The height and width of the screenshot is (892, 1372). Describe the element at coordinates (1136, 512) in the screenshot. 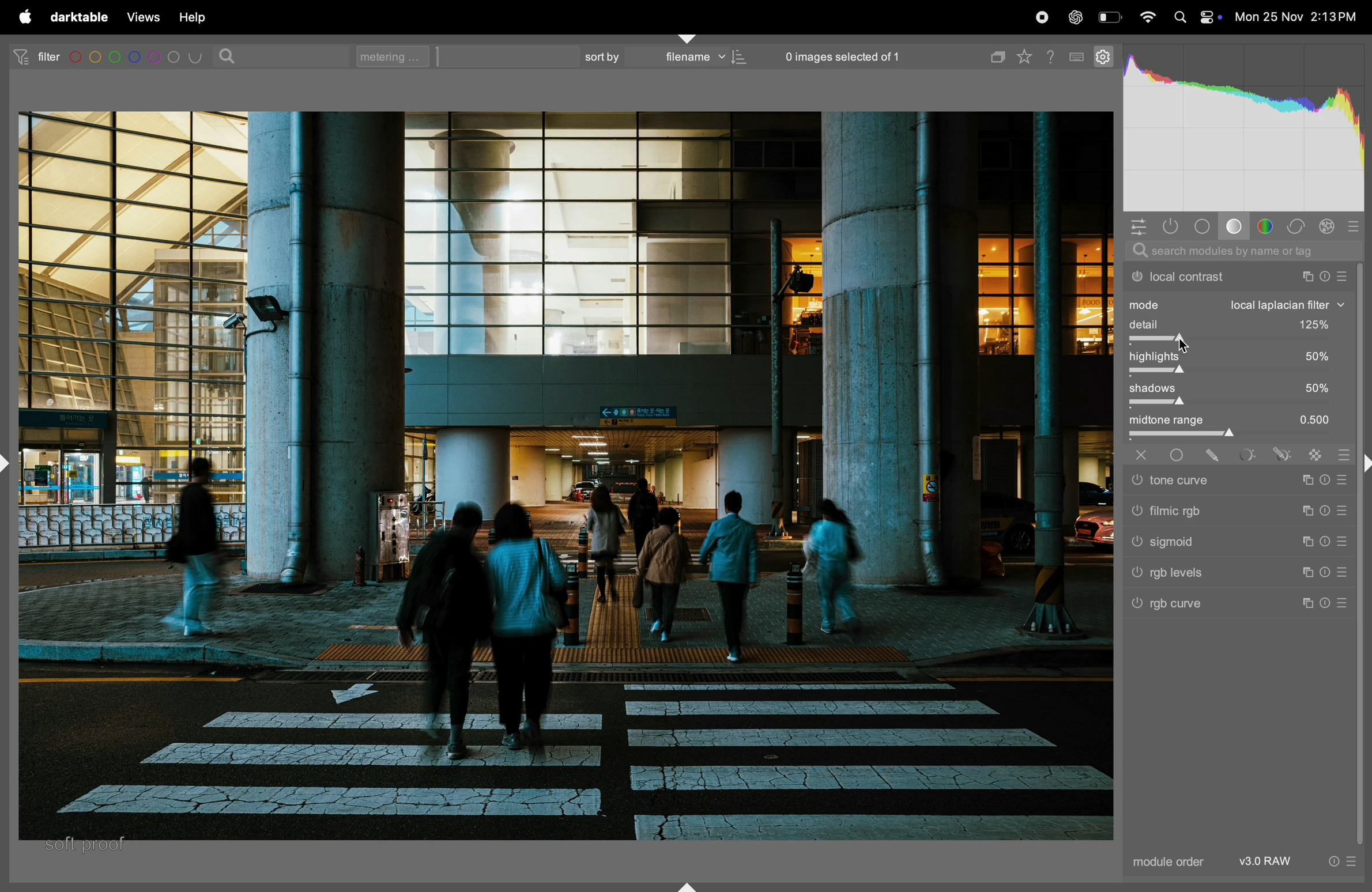

I see `filmic rgb switched off` at that location.